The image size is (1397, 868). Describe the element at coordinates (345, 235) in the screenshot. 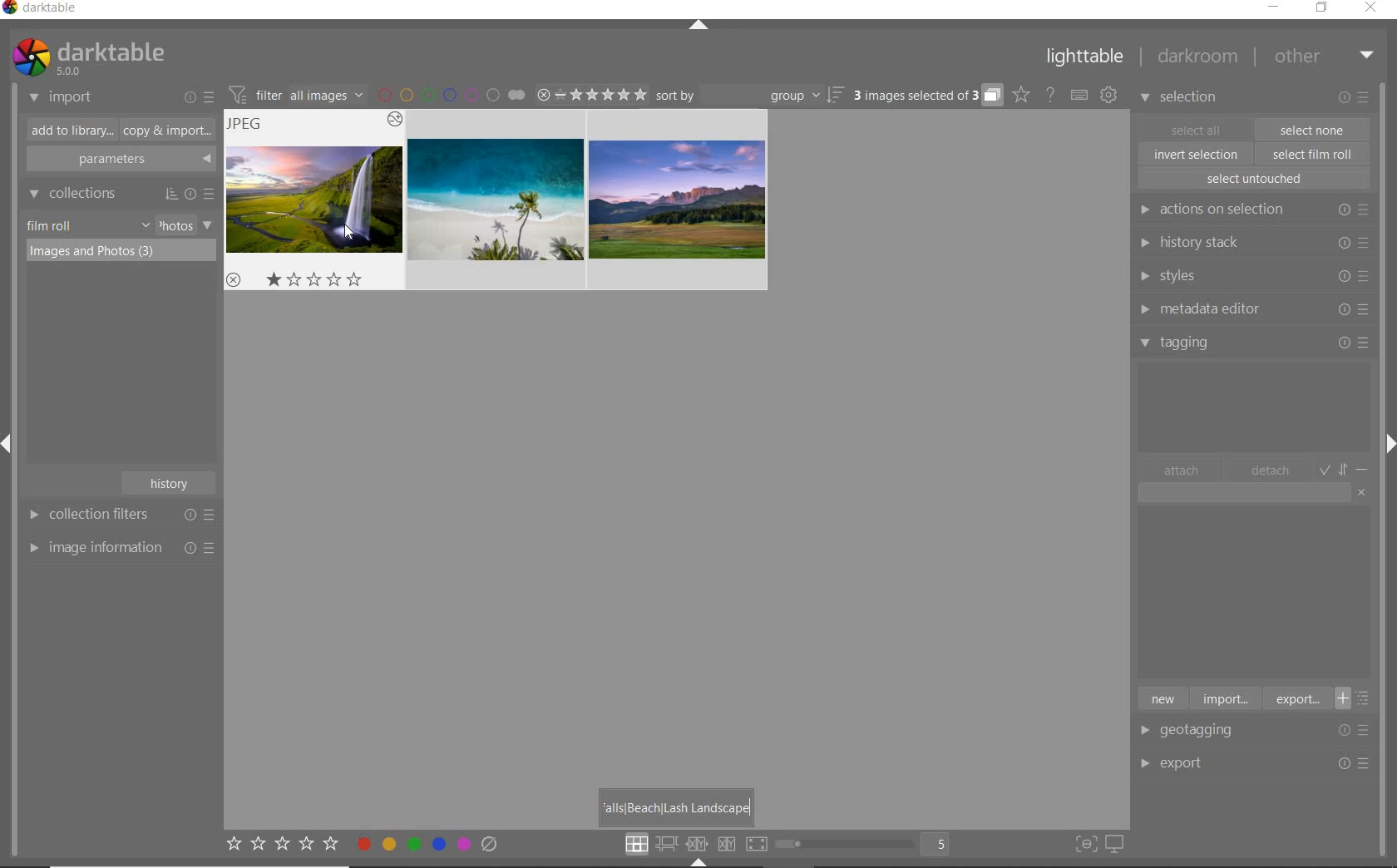

I see `cursor` at that location.